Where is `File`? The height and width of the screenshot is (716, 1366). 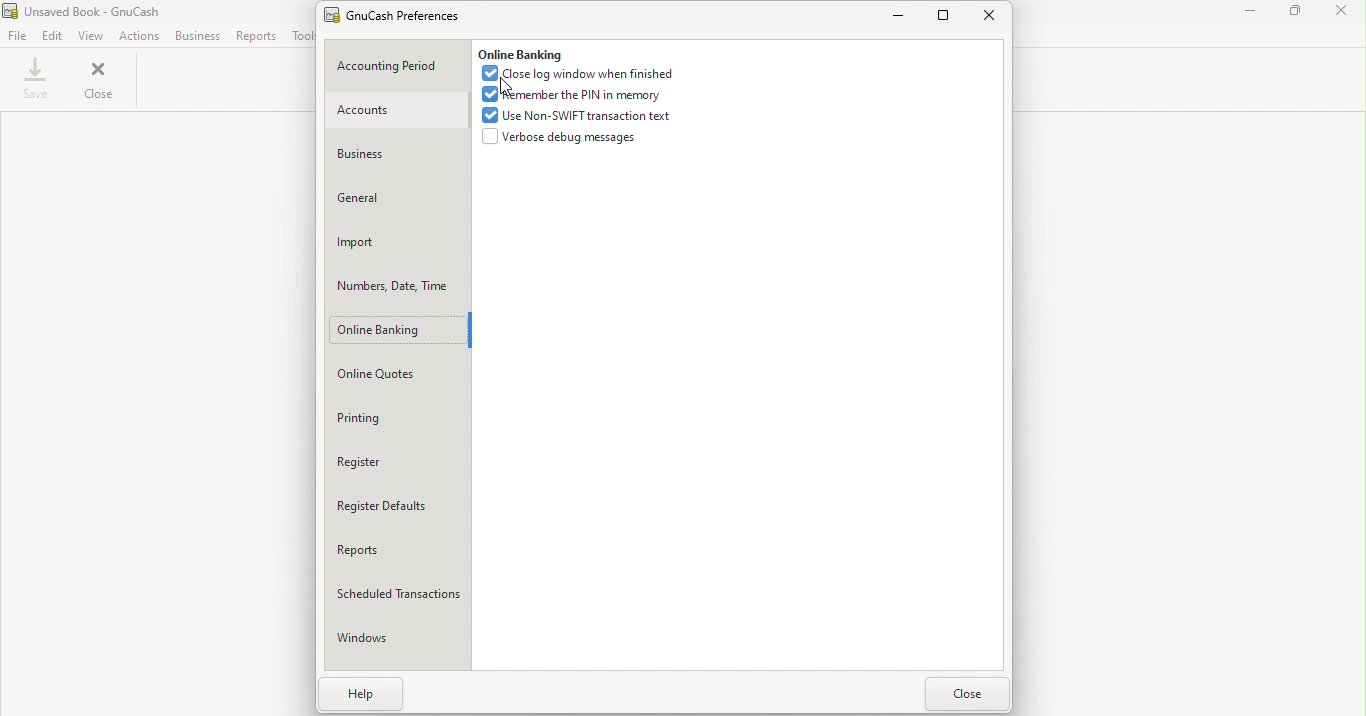 File is located at coordinates (16, 36).